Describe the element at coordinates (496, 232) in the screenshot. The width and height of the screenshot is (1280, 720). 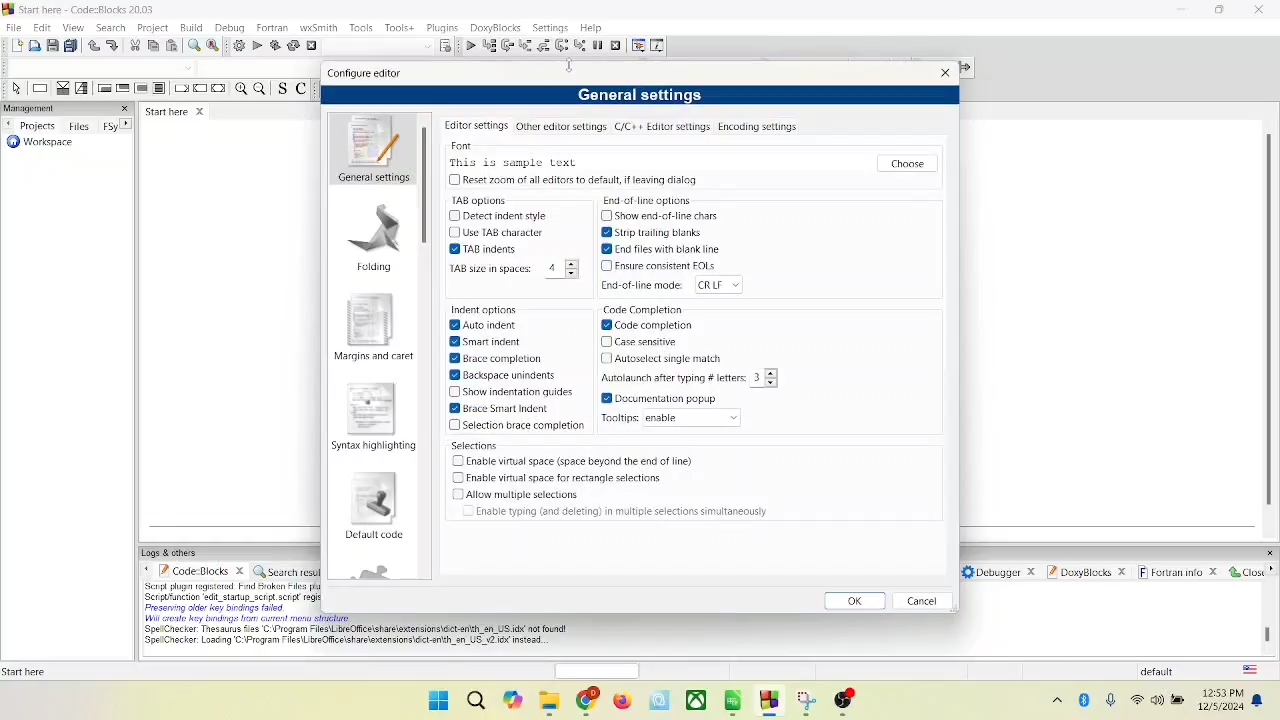
I see `use TAB character` at that location.